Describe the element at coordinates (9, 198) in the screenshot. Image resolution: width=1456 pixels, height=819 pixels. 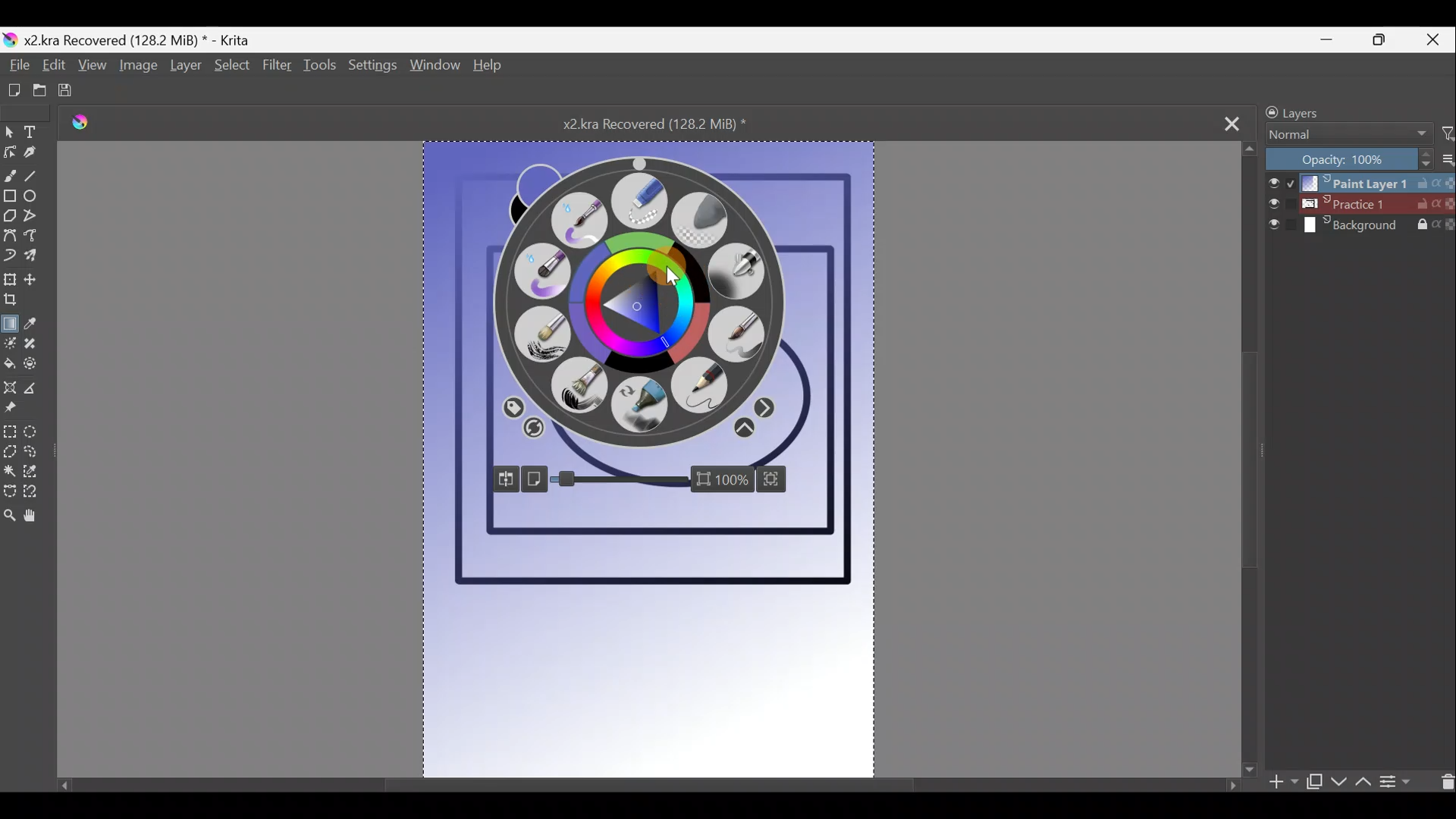
I see `Rectangle tool` at that location.